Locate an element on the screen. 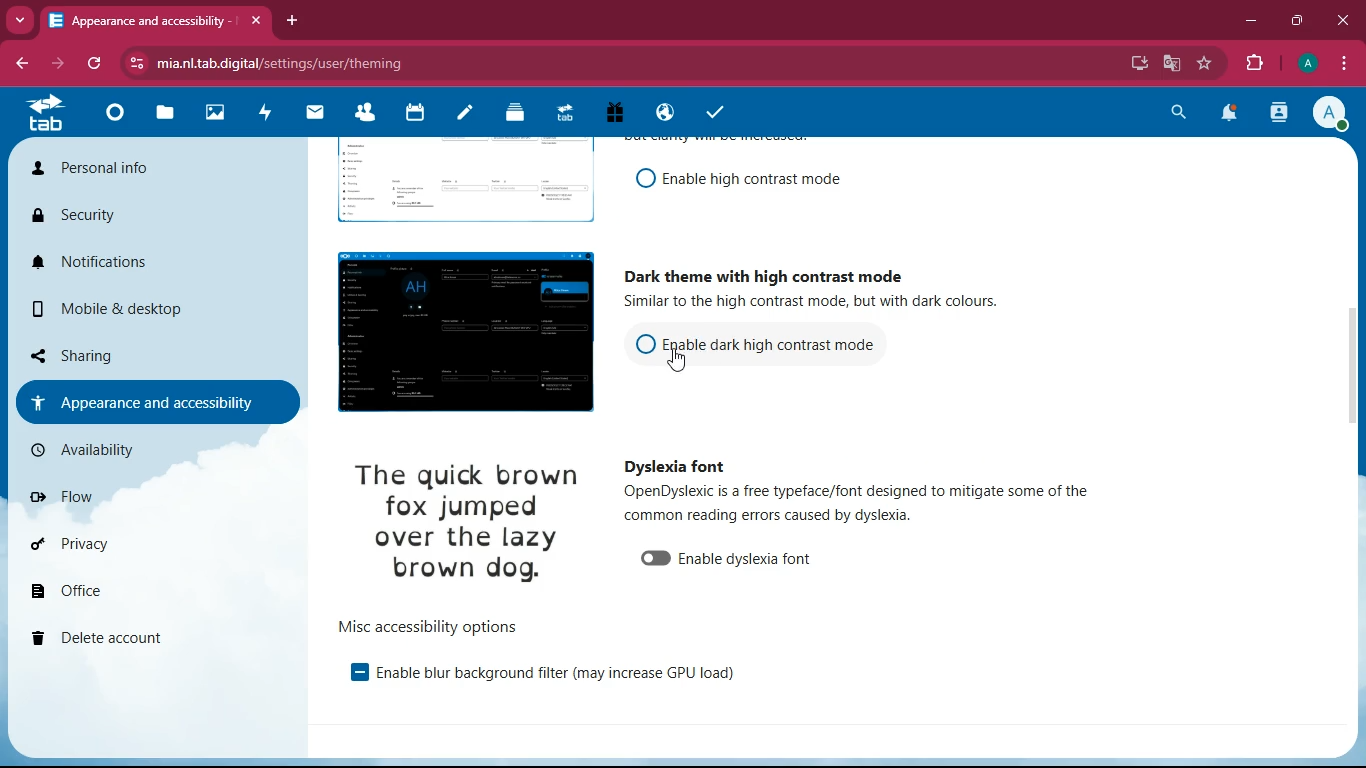 Image resolution: width=1366 pixels, height=768 pixels. dark theme is located at coordinates (762, 271).